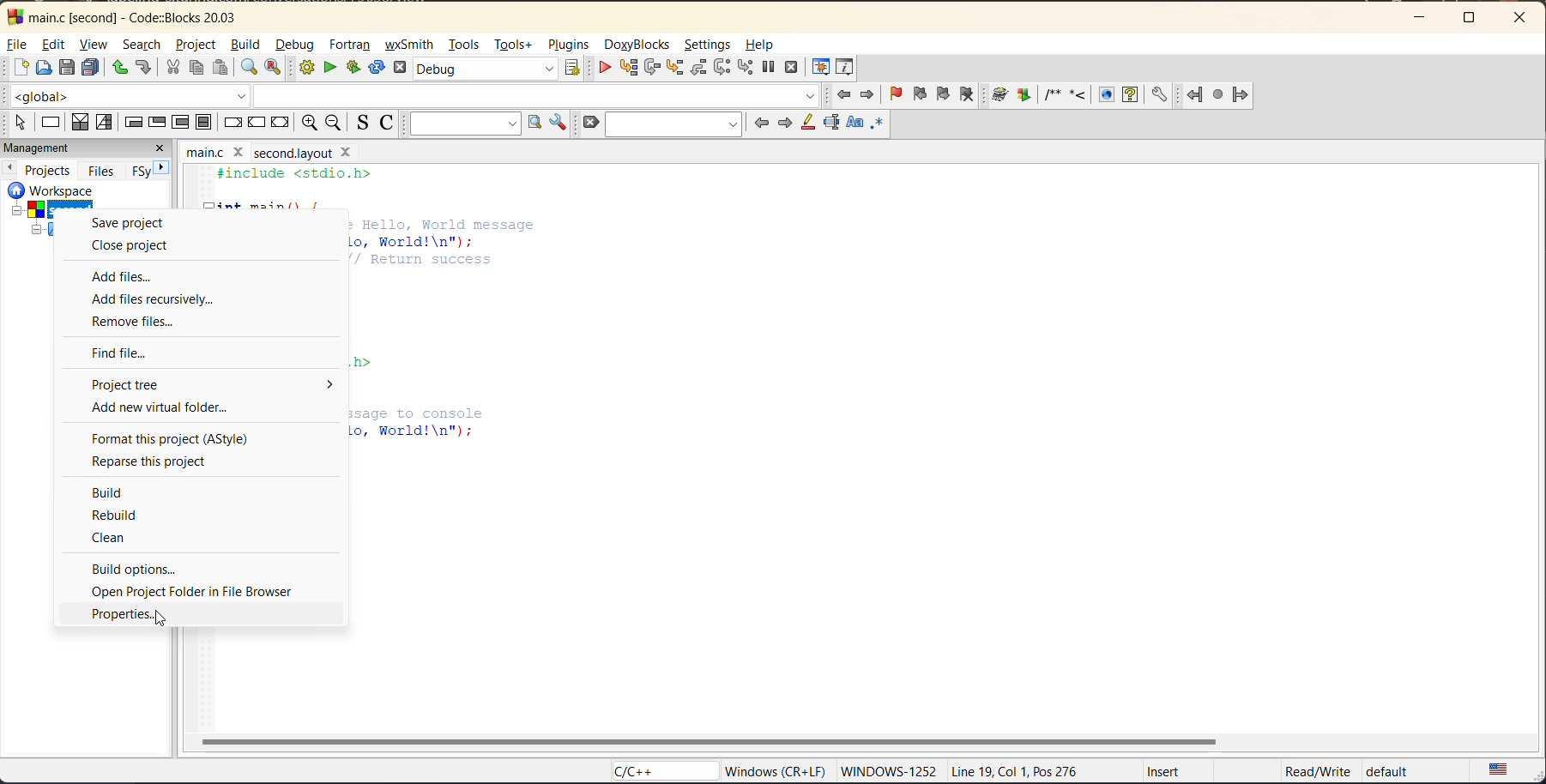  Describe the element at coordinates (100, 171) in the screenshot. I see `files` at that location.